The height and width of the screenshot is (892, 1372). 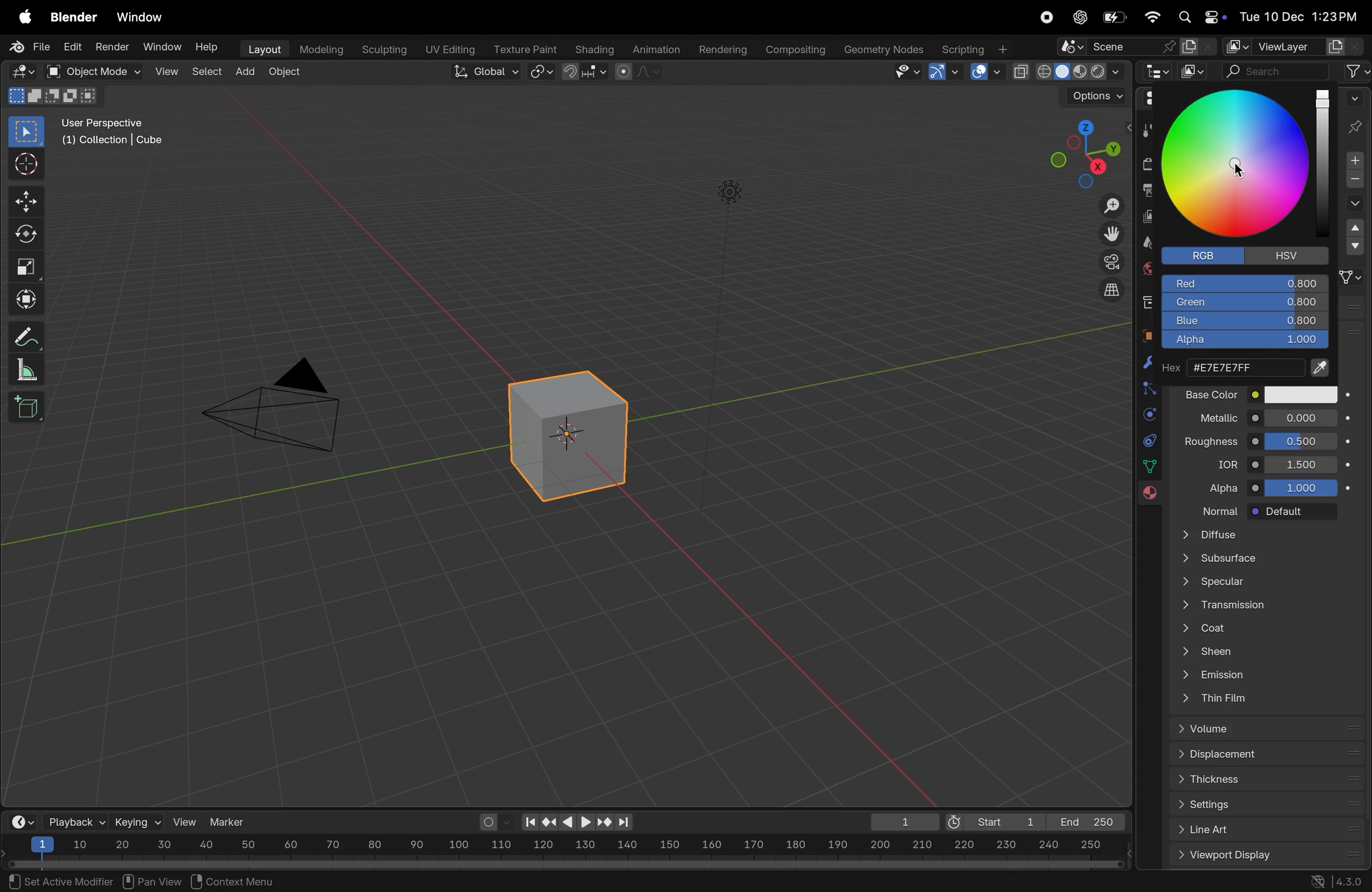 I want to click on roughness, so click(x=1210, y=439).